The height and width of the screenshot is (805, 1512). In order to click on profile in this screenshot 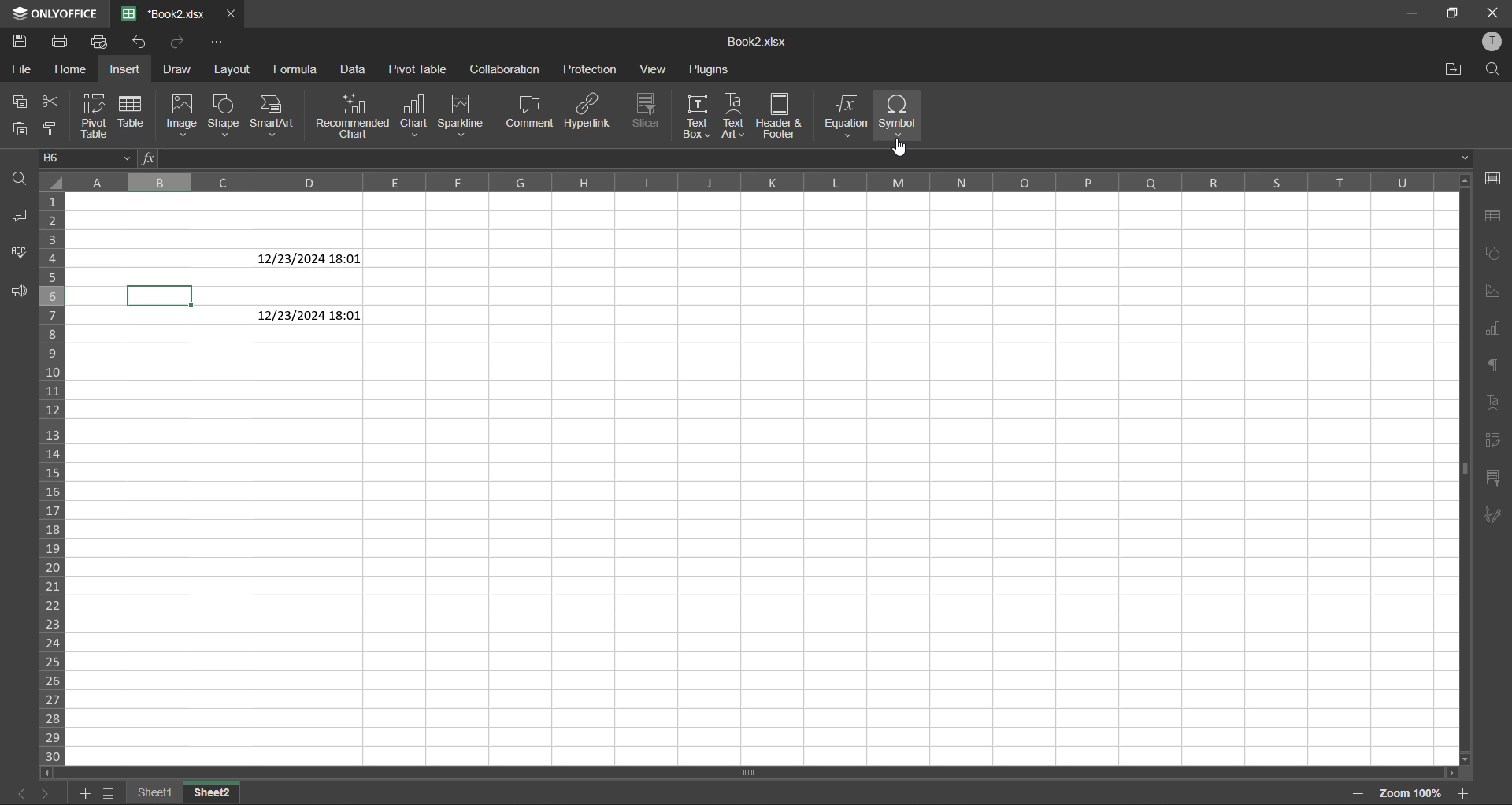, I will do `click(1492, 42)`.